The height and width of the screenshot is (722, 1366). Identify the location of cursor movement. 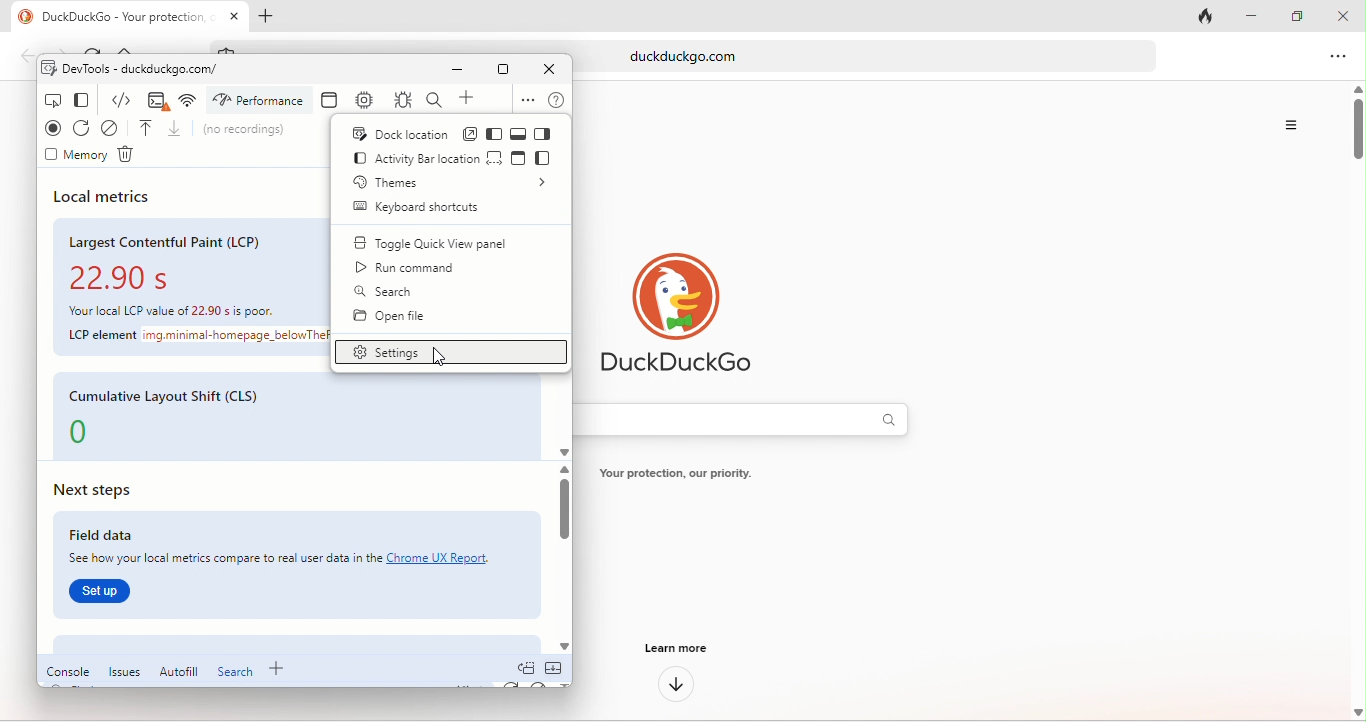
(441, 359).